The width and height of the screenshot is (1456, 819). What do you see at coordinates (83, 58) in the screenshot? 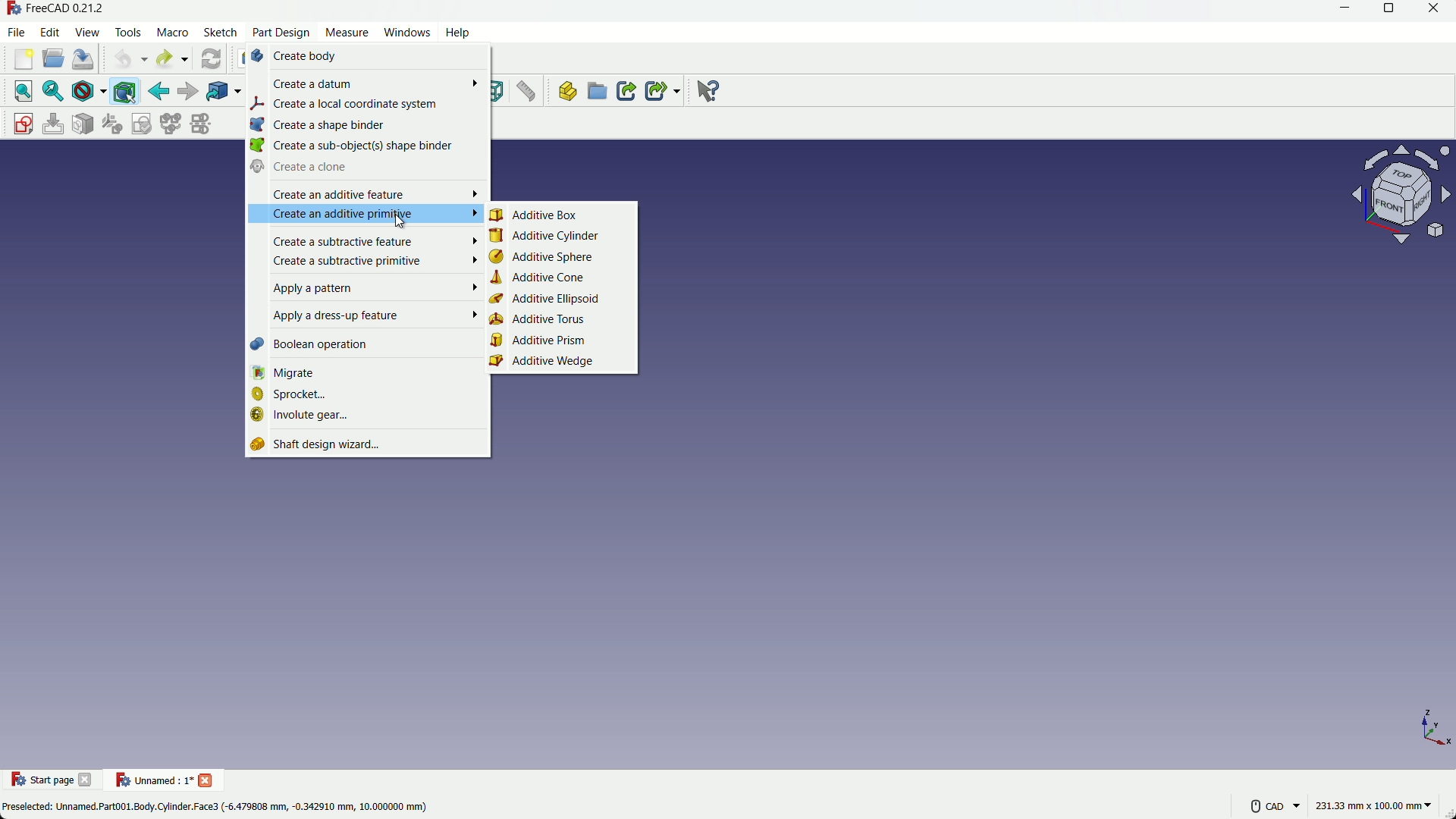
I see `save file` at bounding box center [83, 58].